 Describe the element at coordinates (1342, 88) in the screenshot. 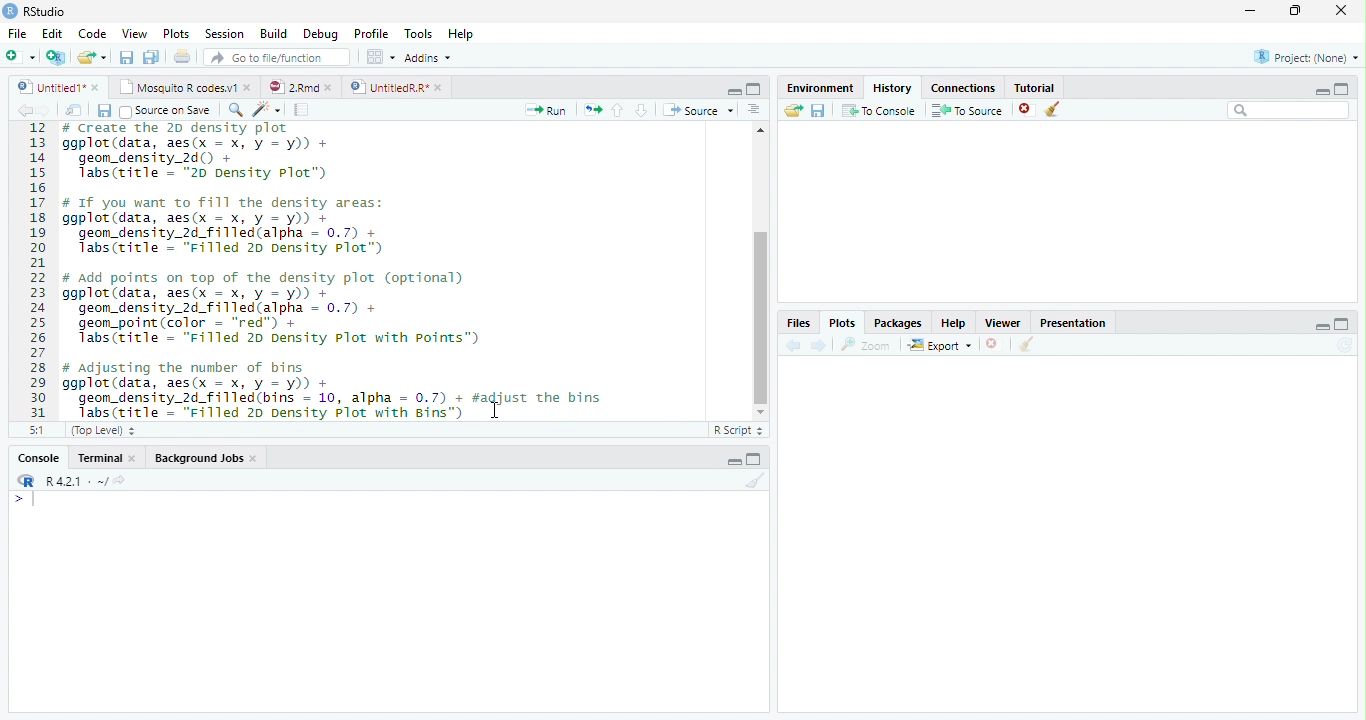

I see `maximize` at that location.